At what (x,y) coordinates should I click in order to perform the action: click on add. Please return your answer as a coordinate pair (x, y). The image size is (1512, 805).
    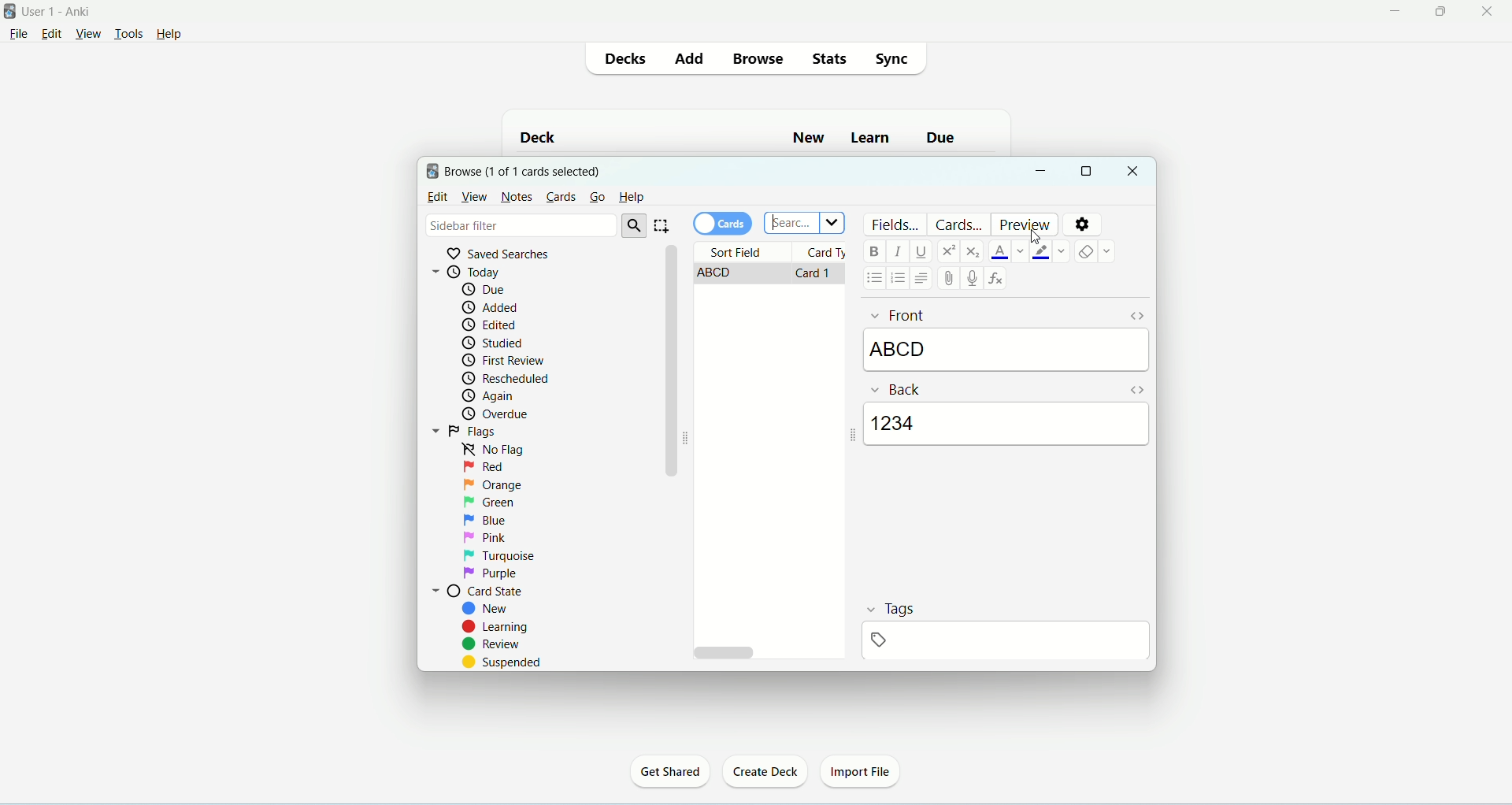
    Looking at the image, I should click on (692, 58).